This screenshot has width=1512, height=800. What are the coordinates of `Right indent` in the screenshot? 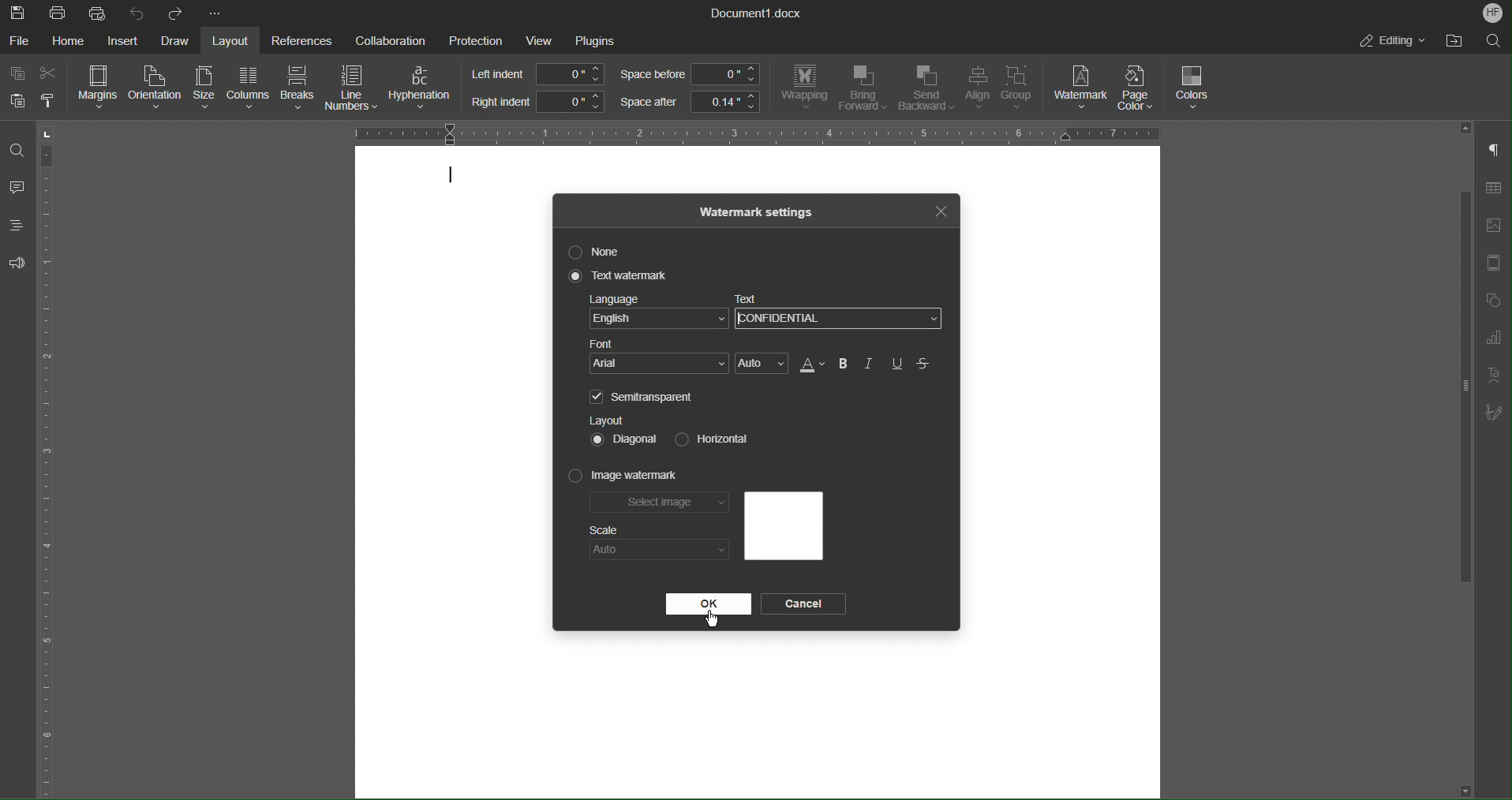 It's located at (537, 102).